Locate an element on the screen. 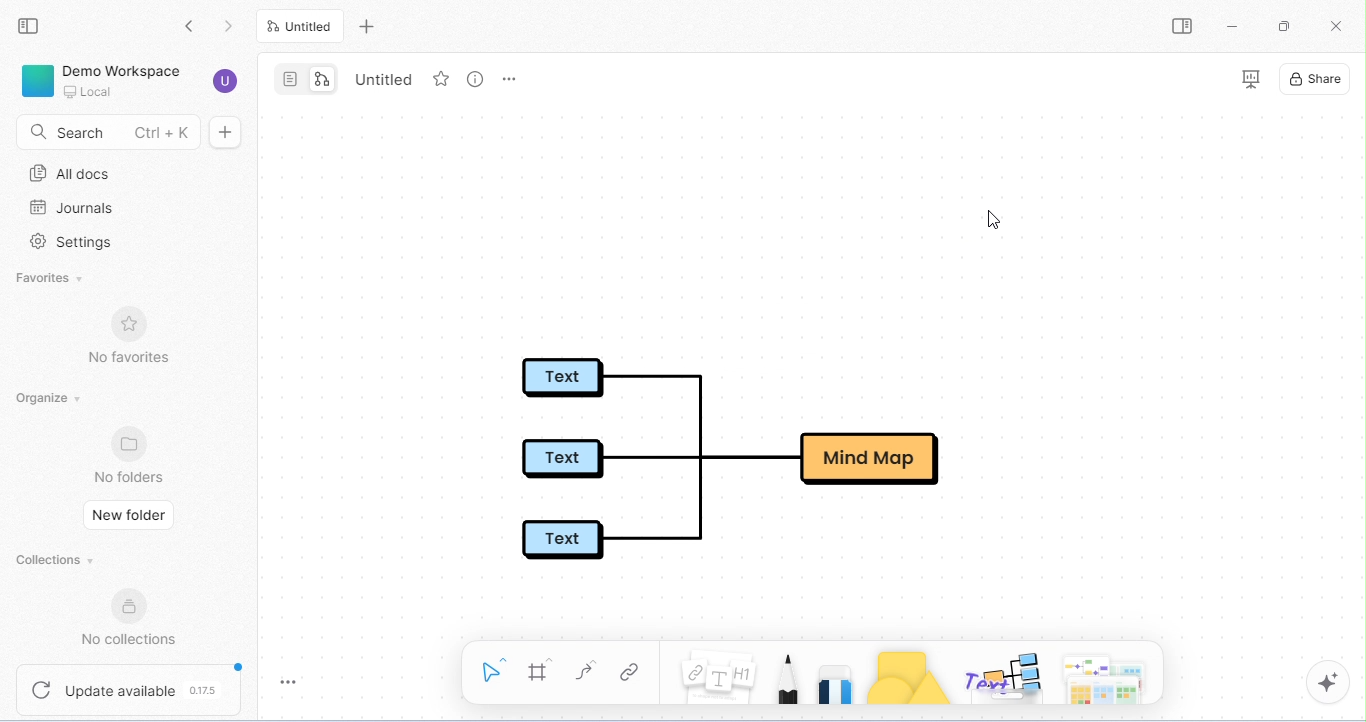 This screenshot has height=722, width=1366. note is located at coordinates (716, 672).